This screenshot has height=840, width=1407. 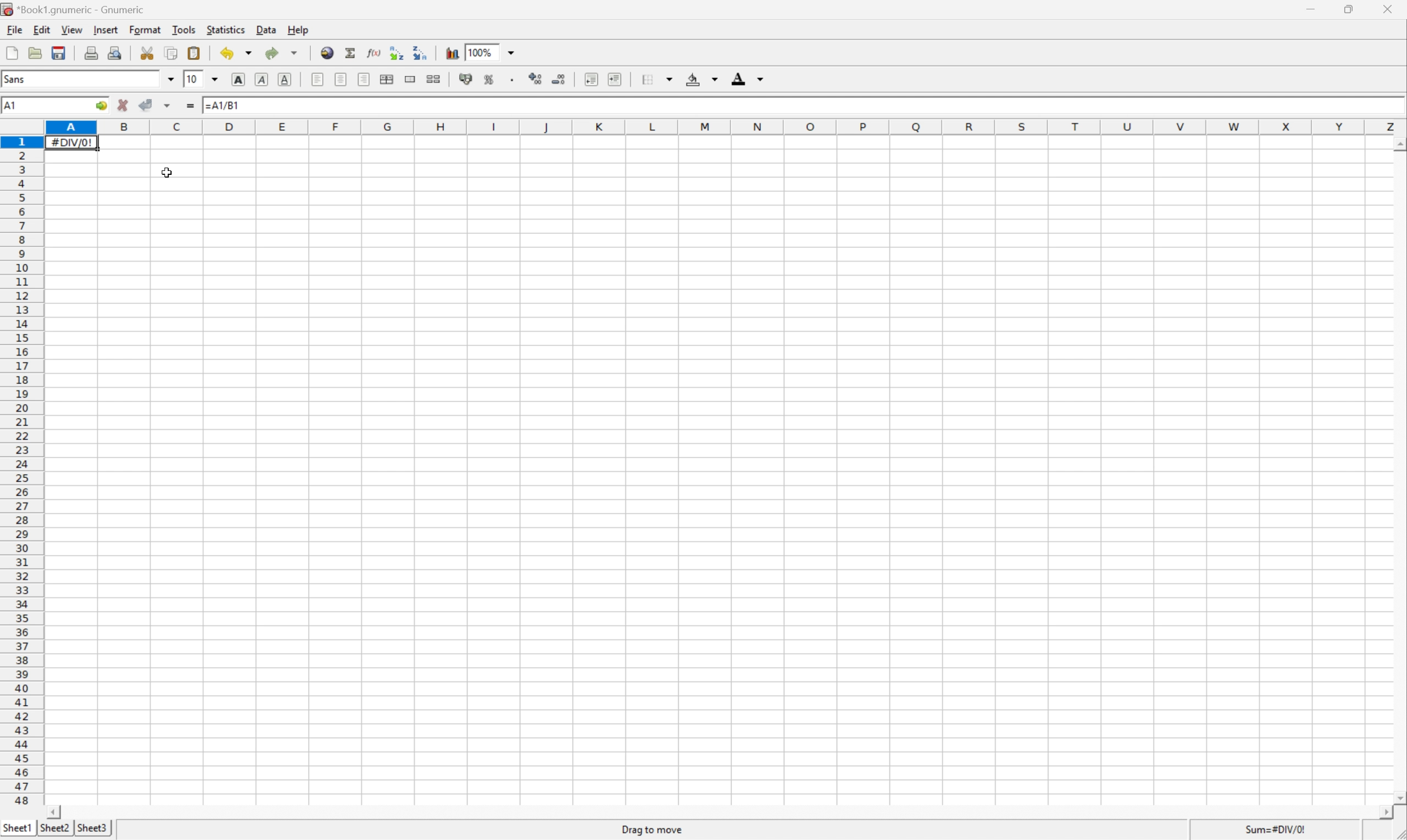 What do you see at coordinates (169, 174) in the screenshot?
I see `Cursor` at bounding box center [169, 174].